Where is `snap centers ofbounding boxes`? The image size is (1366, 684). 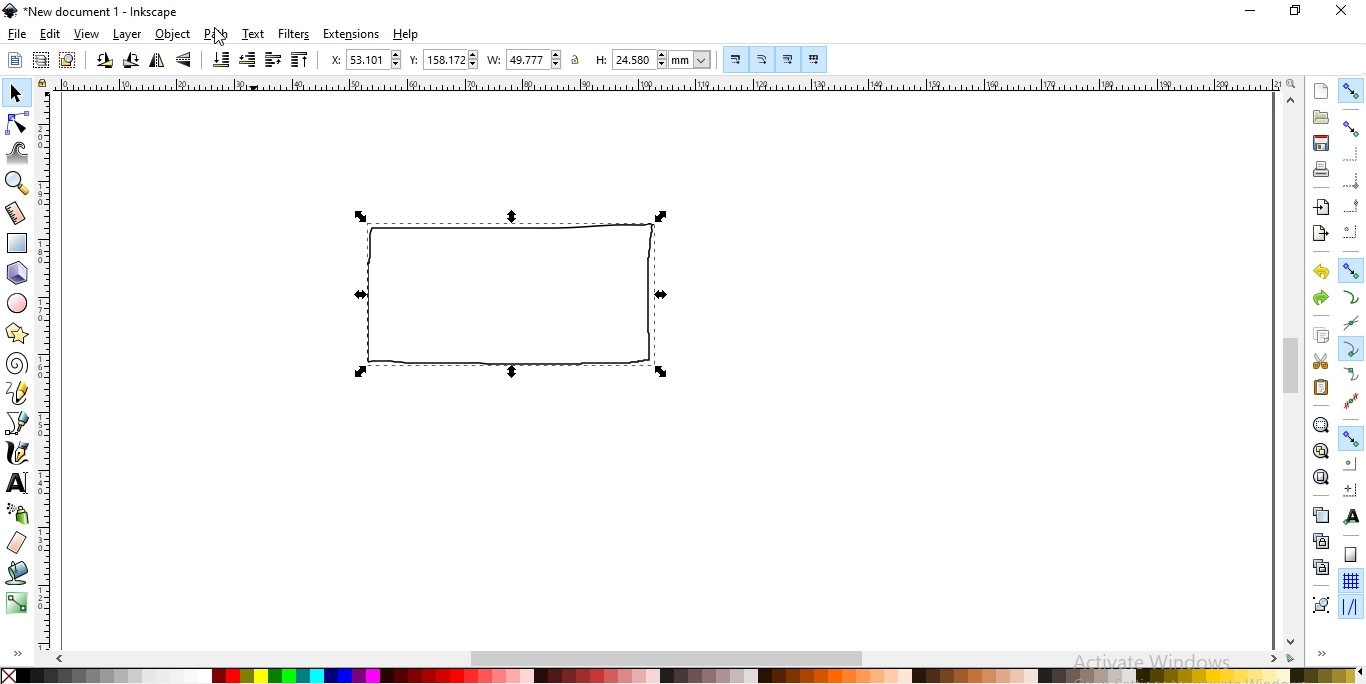
snap centers ofbounding boxes is located at coordinates (1352, 230).